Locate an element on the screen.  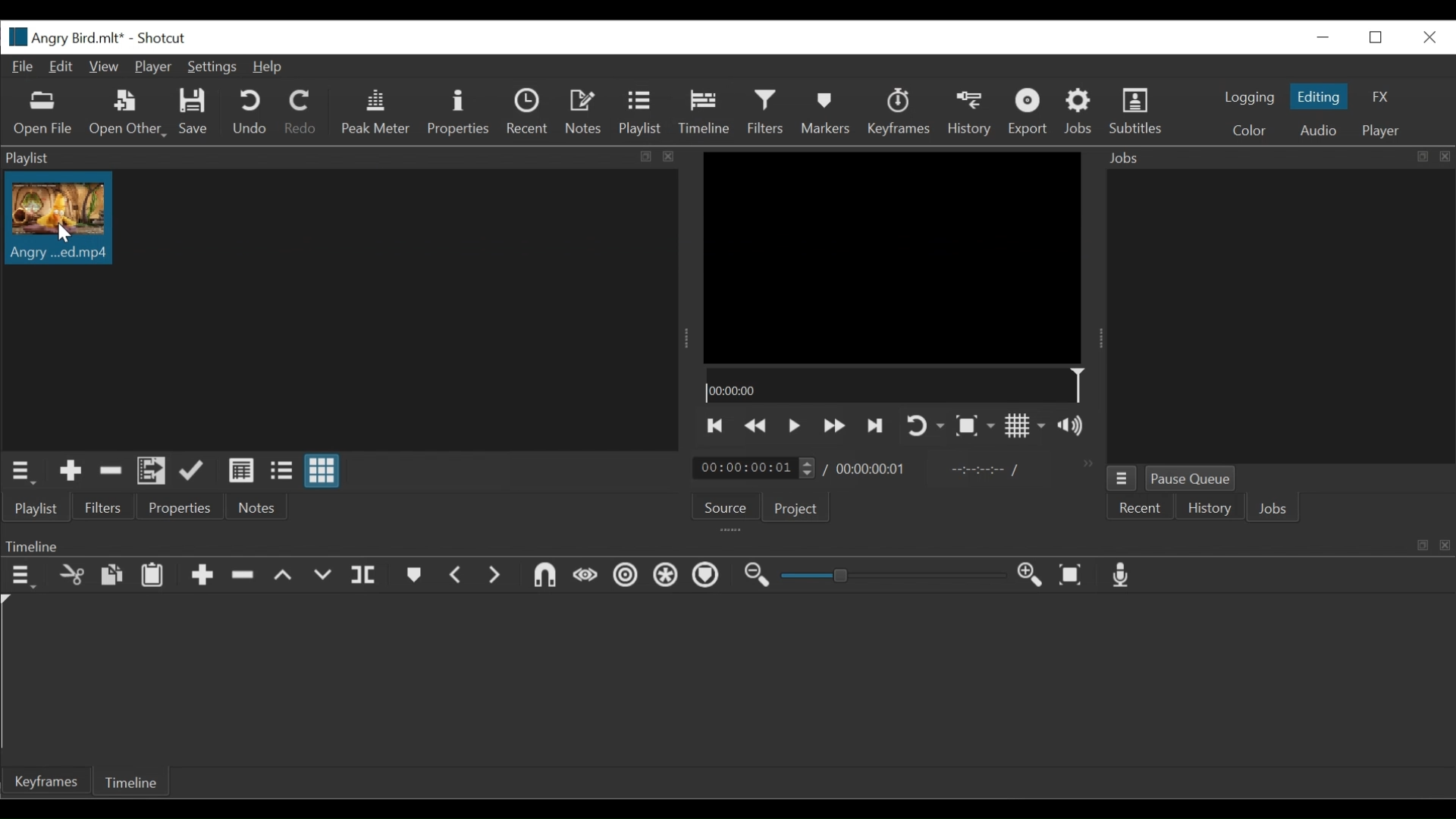
Overwrite is located at coordinates (325, 576).